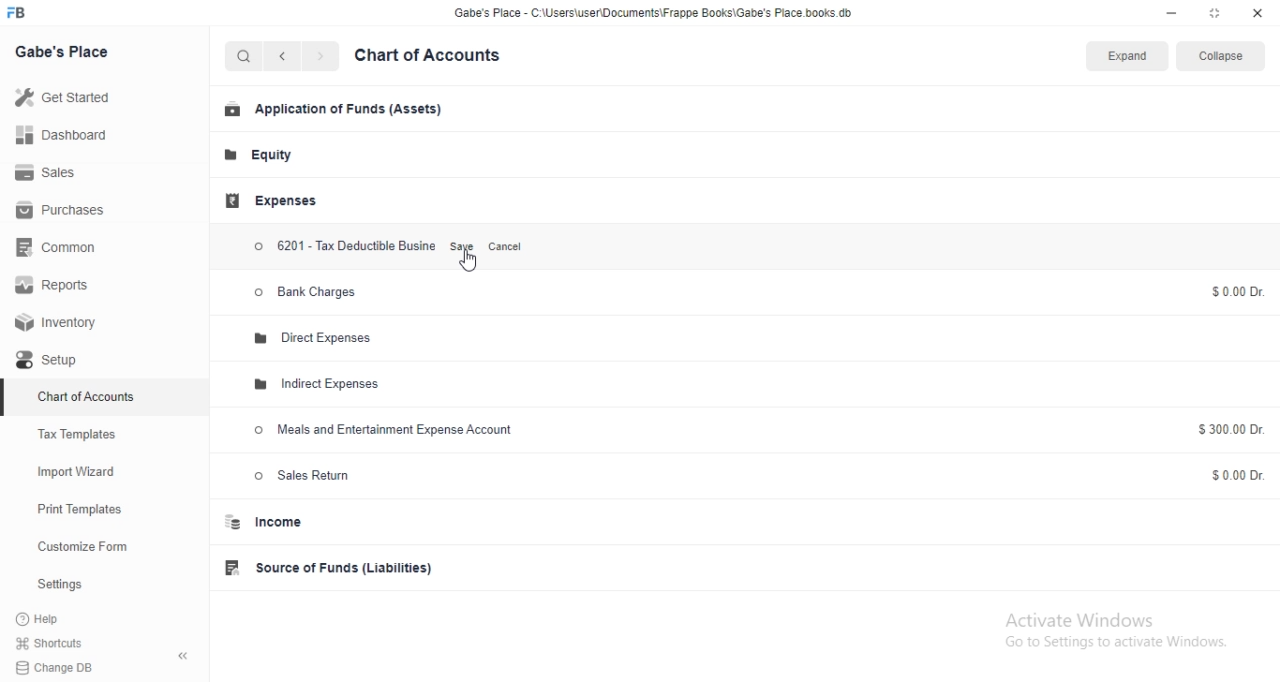 This screenshot has width=1280, height=682. Describe the element at coordinates (326, 382) in the screenshot. I see `Indirect Expenses` at that location.